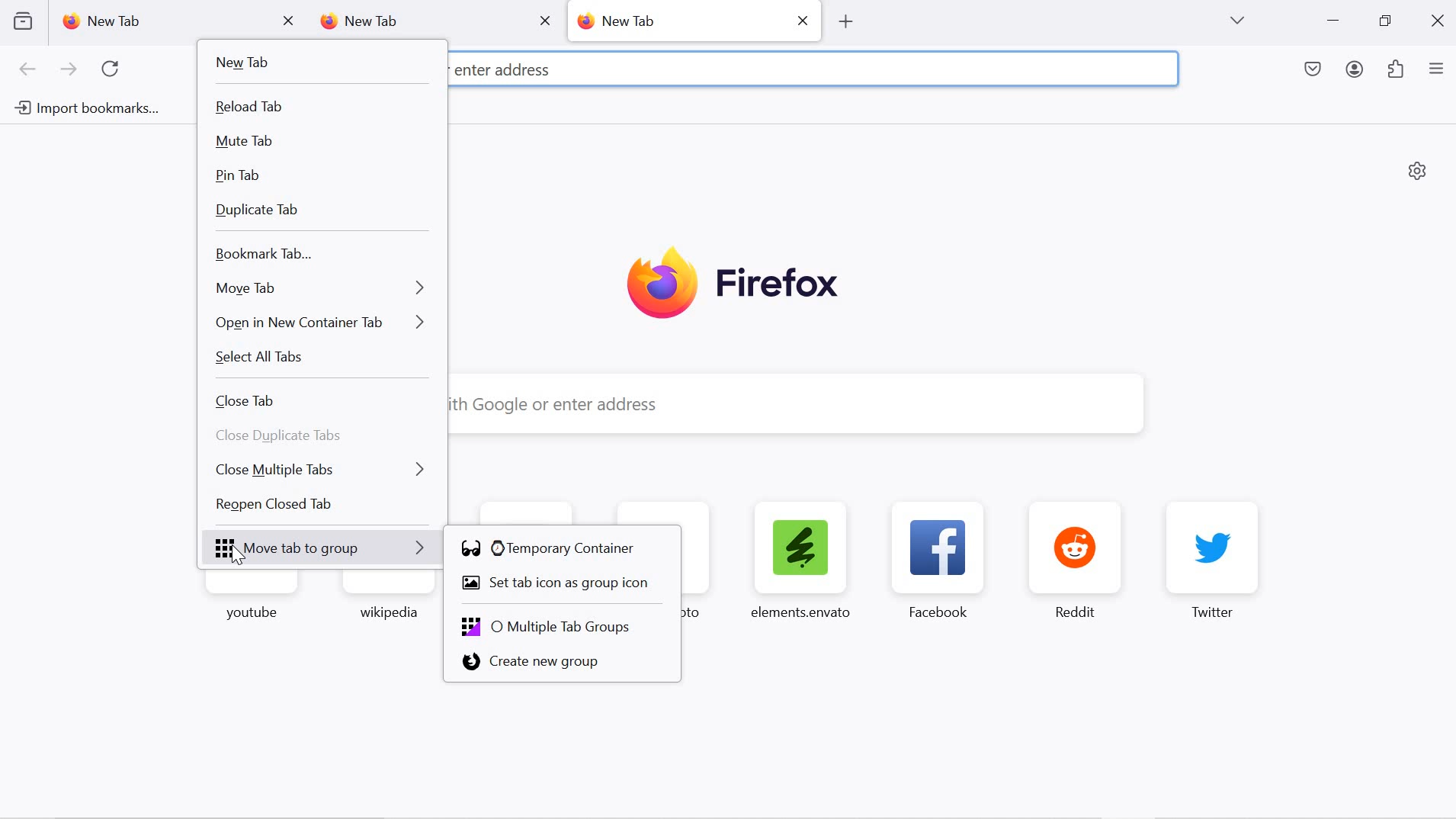 The image size is (1456, 819). Describe the element at coordinates (290, 21) in the screenshot. I see `close tab` at that location.